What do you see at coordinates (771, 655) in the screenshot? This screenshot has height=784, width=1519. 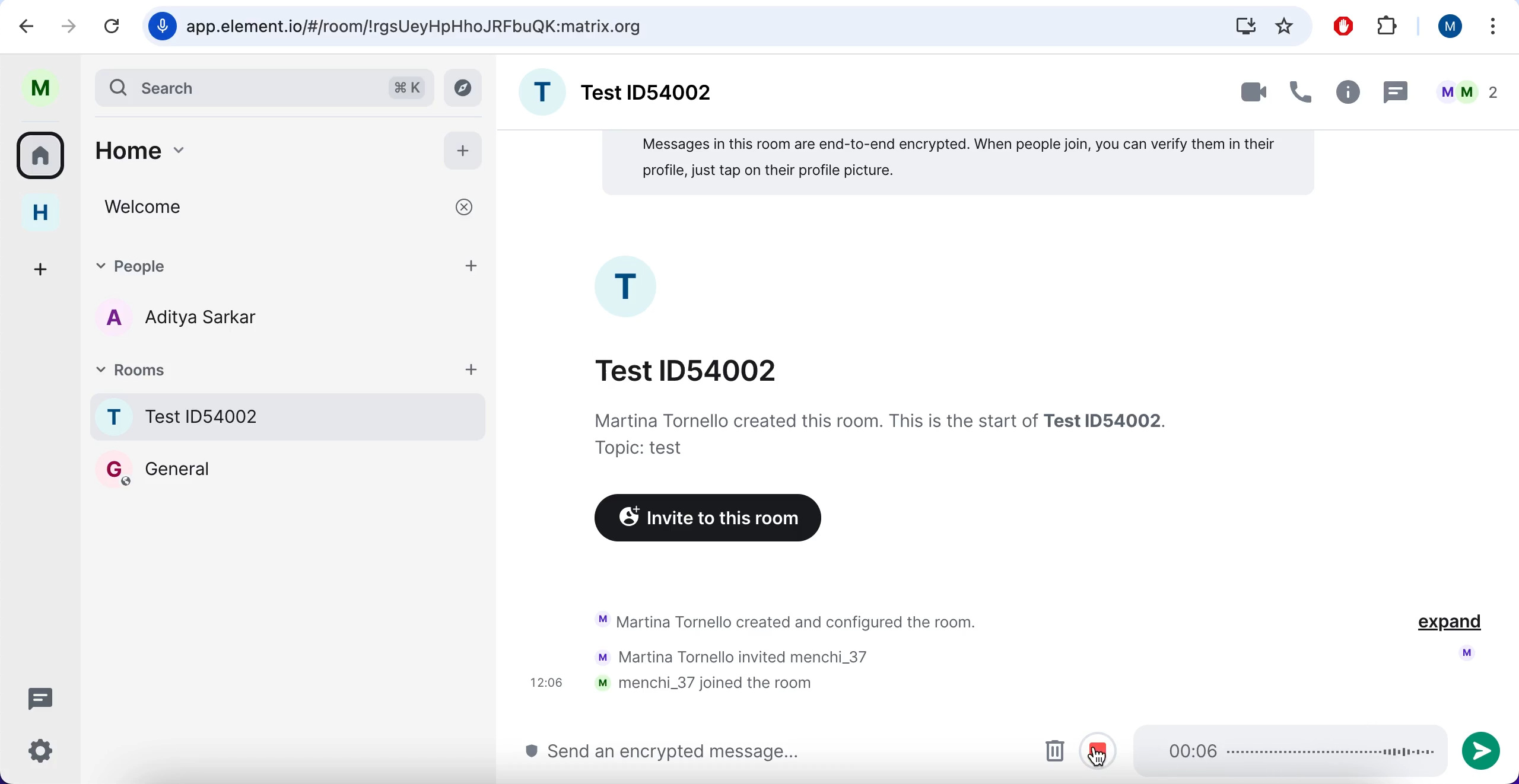 I see `activity chat` at bounding box center [771, 655].